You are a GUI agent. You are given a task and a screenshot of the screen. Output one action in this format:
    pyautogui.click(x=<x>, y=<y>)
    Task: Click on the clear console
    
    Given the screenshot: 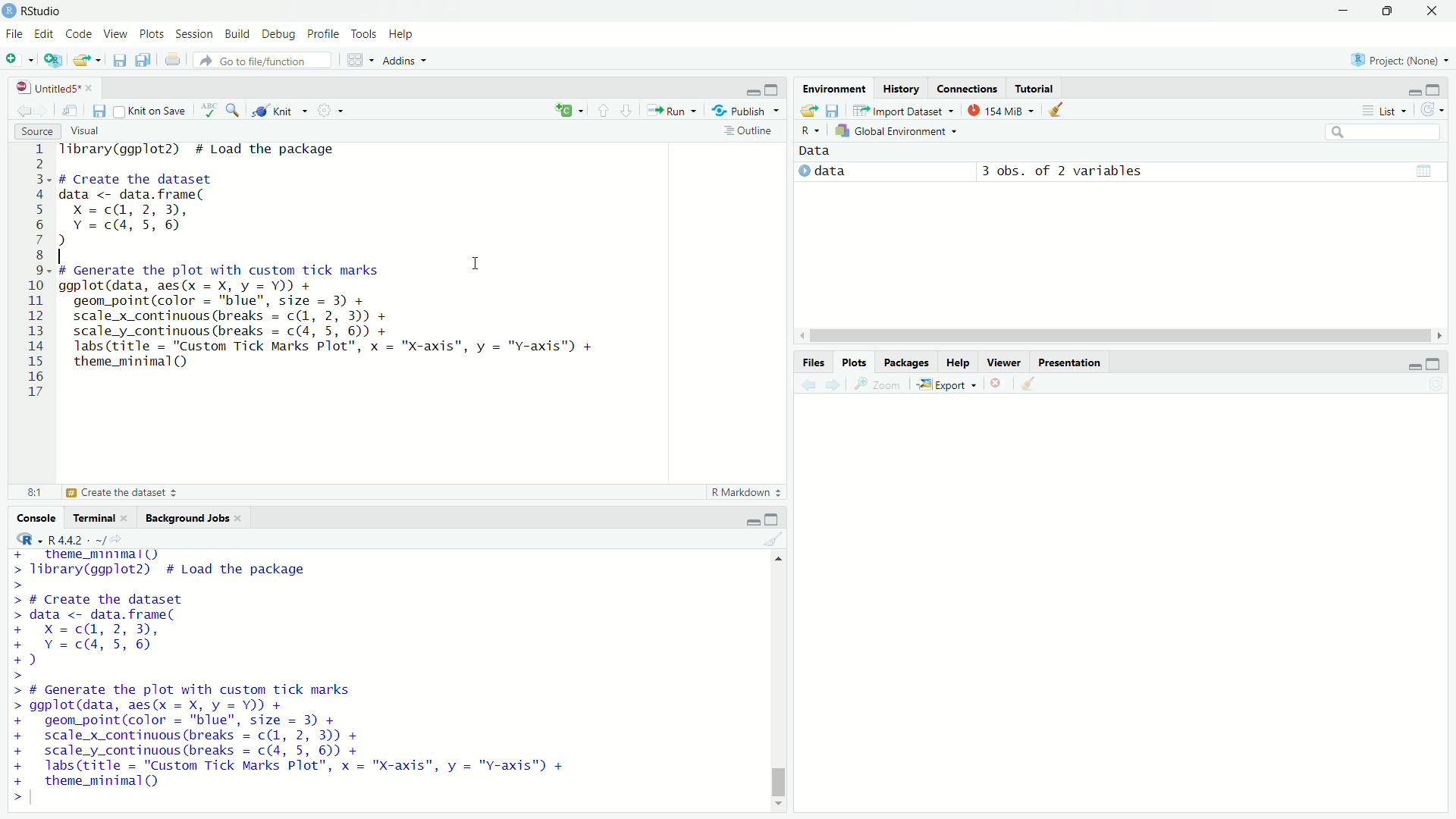 What is the action you would take?
    pyautogui.click(x=773, y=539)
    